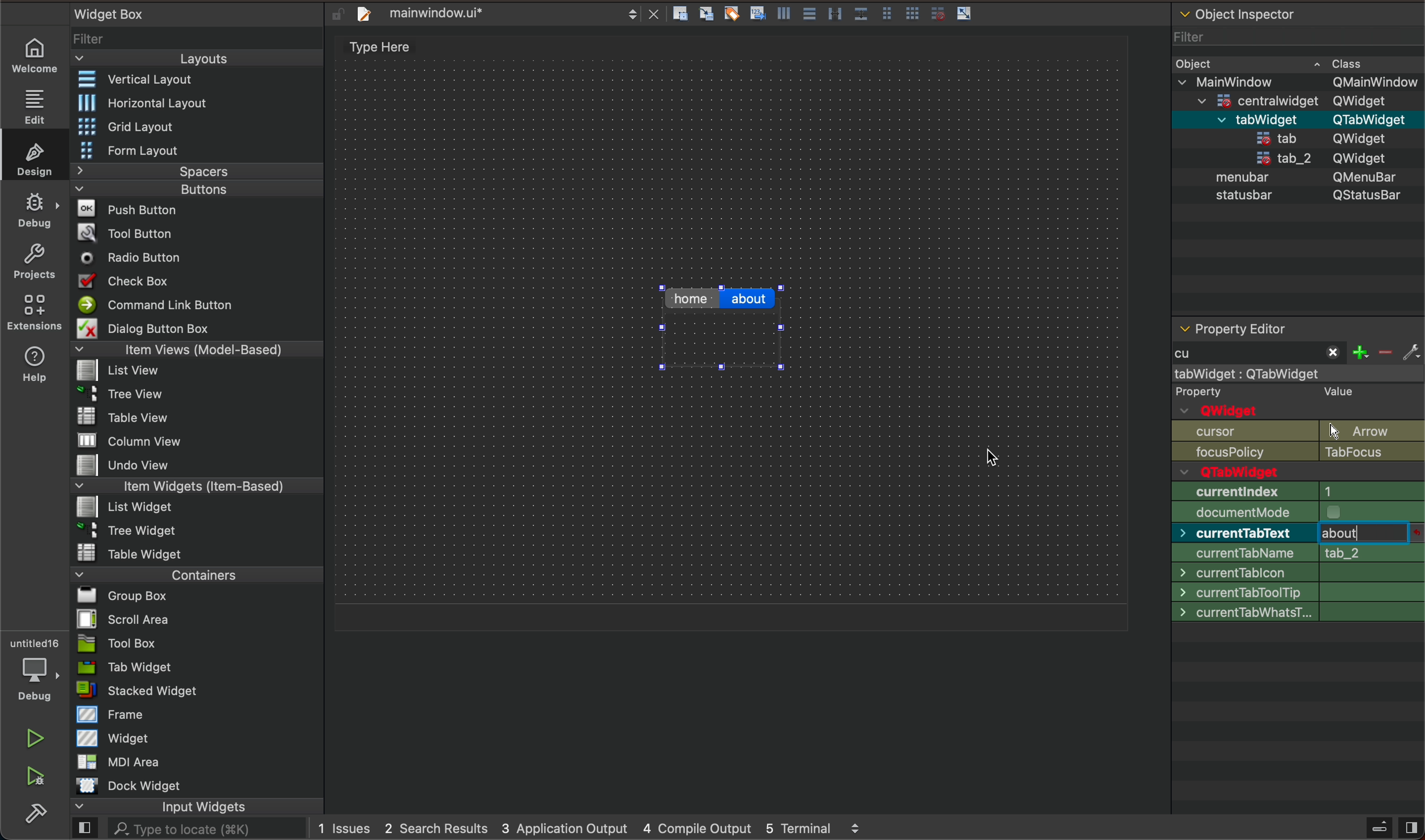 This screenshot has width=1425, height=840. Describe the element at coordinates (1367, 534) in the screenshot. I see `after type` at that location.